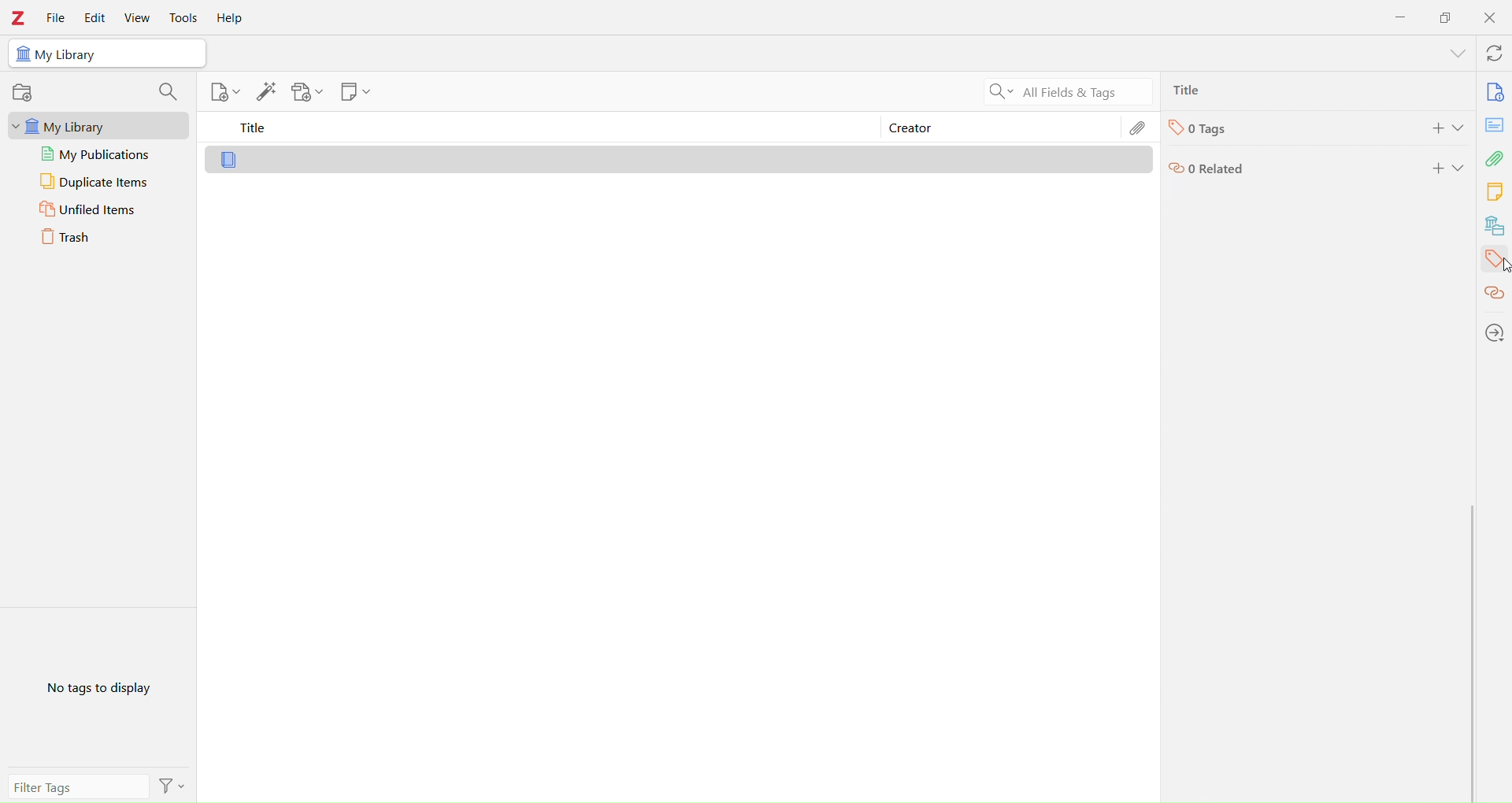 The height and width of the screenshot is (803, 1512). What do you see at coordinates (169, 94) in the screenshot?
I see `search` at bounding box center [169, 94].